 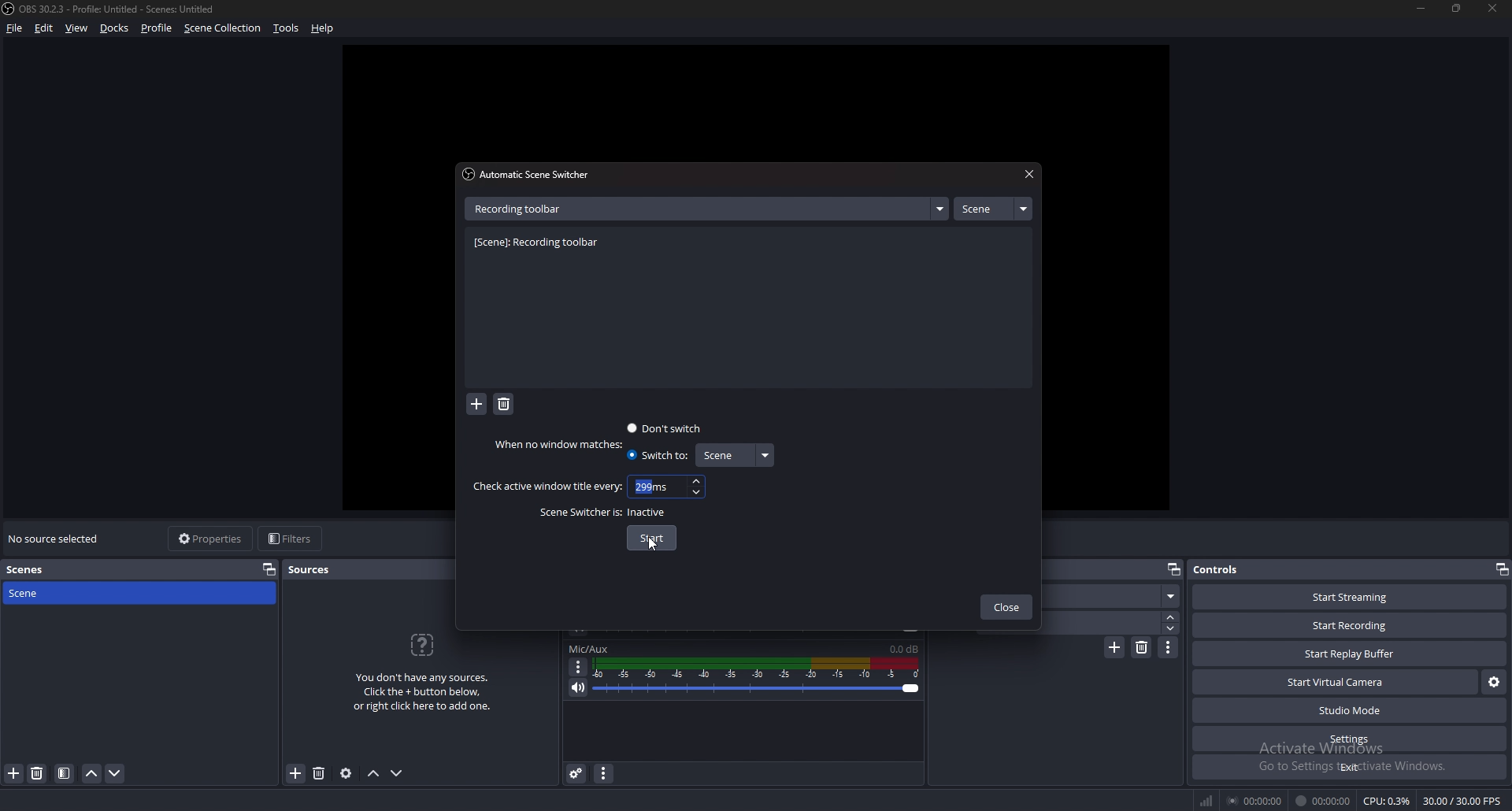 I want to click on close, so click(x=1006, y=609).